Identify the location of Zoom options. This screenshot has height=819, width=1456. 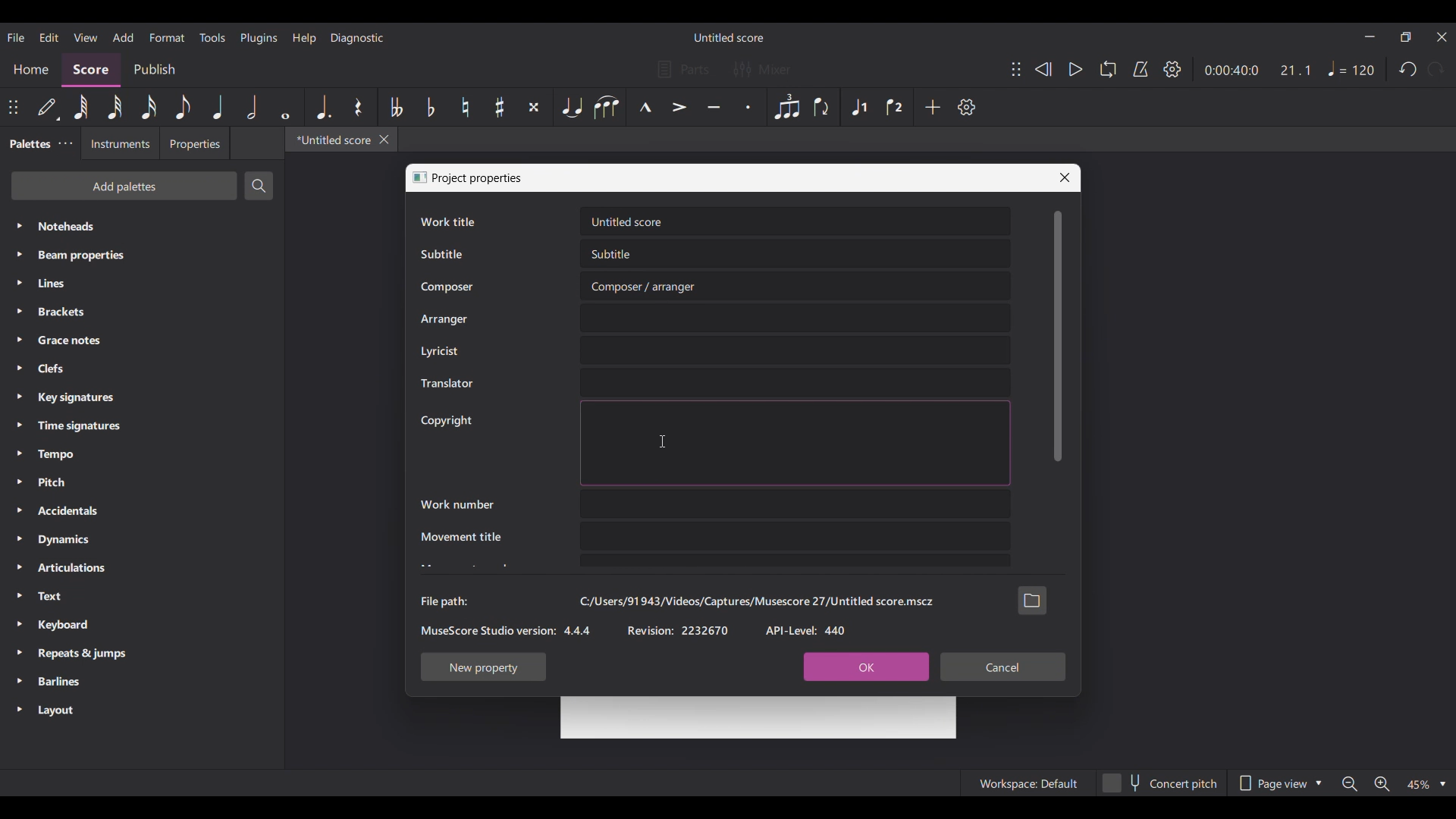
(1426, 784).